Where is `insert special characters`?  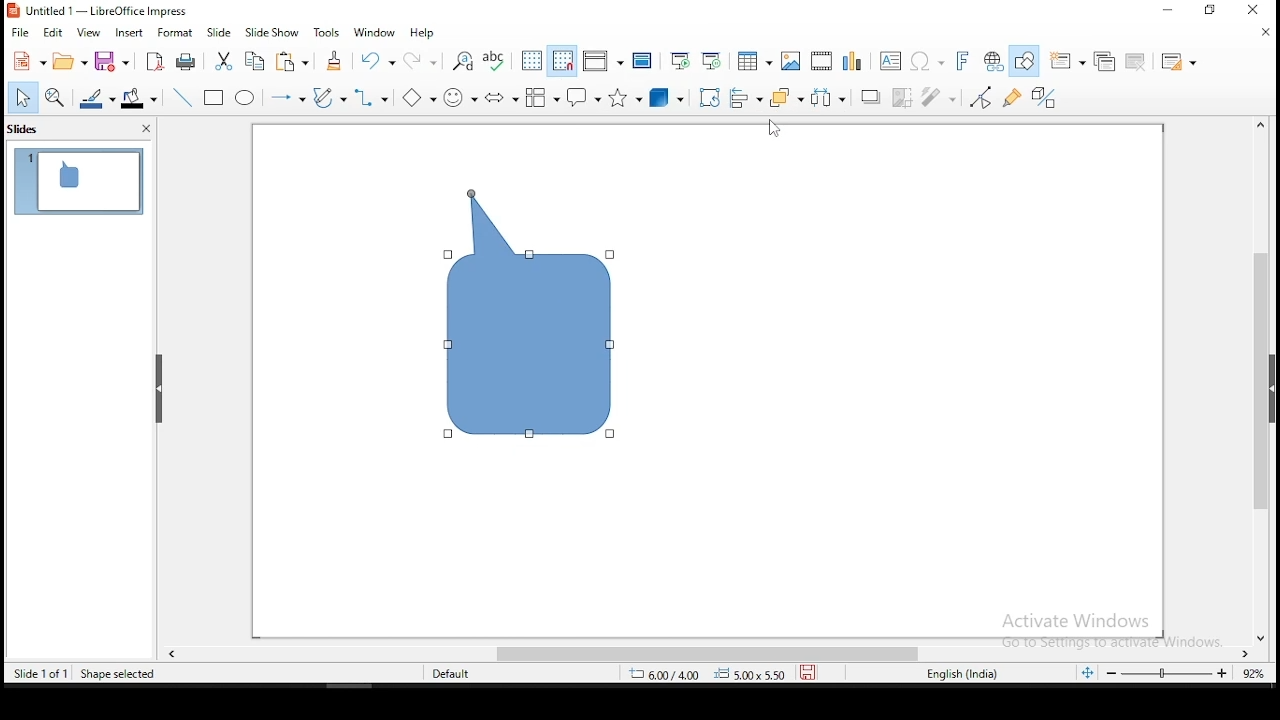
insert special characters is located at coordinates (927, 60).